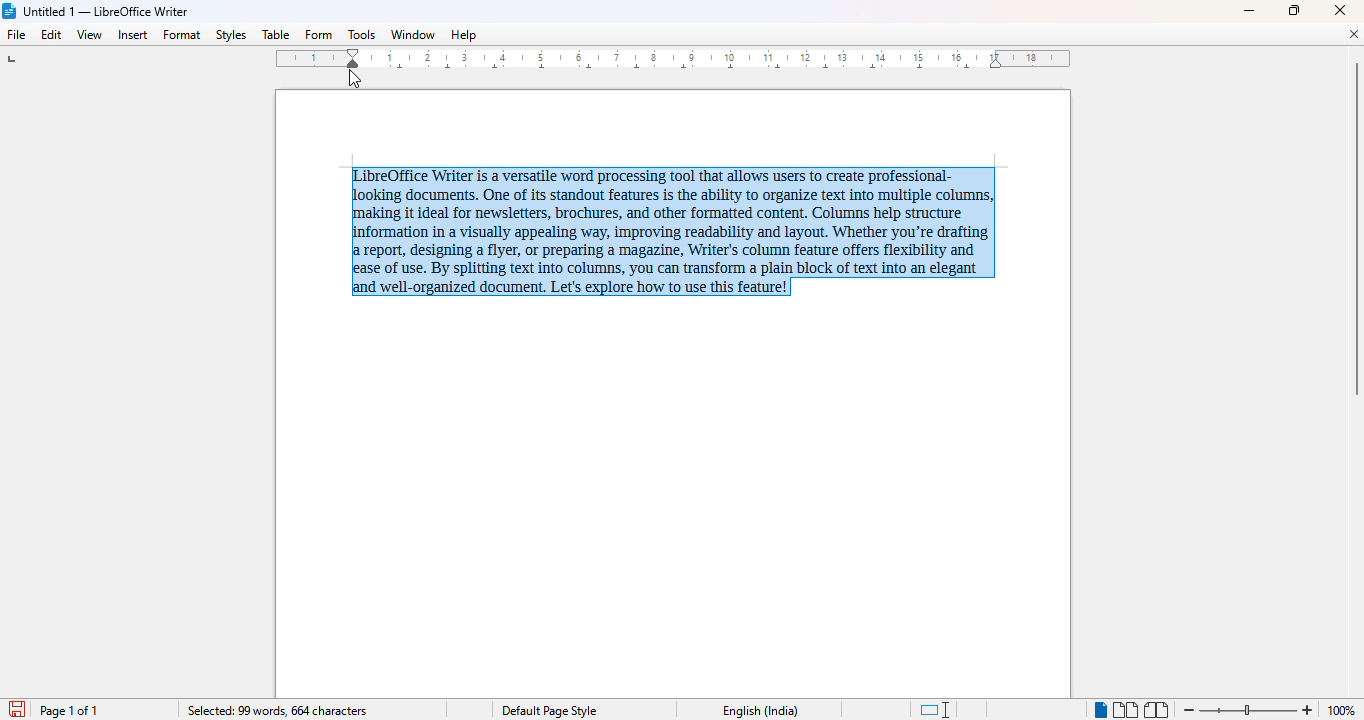  Describe the element at coordinates (1190, 710) in the screenshot. I see `zoom out` at that location.